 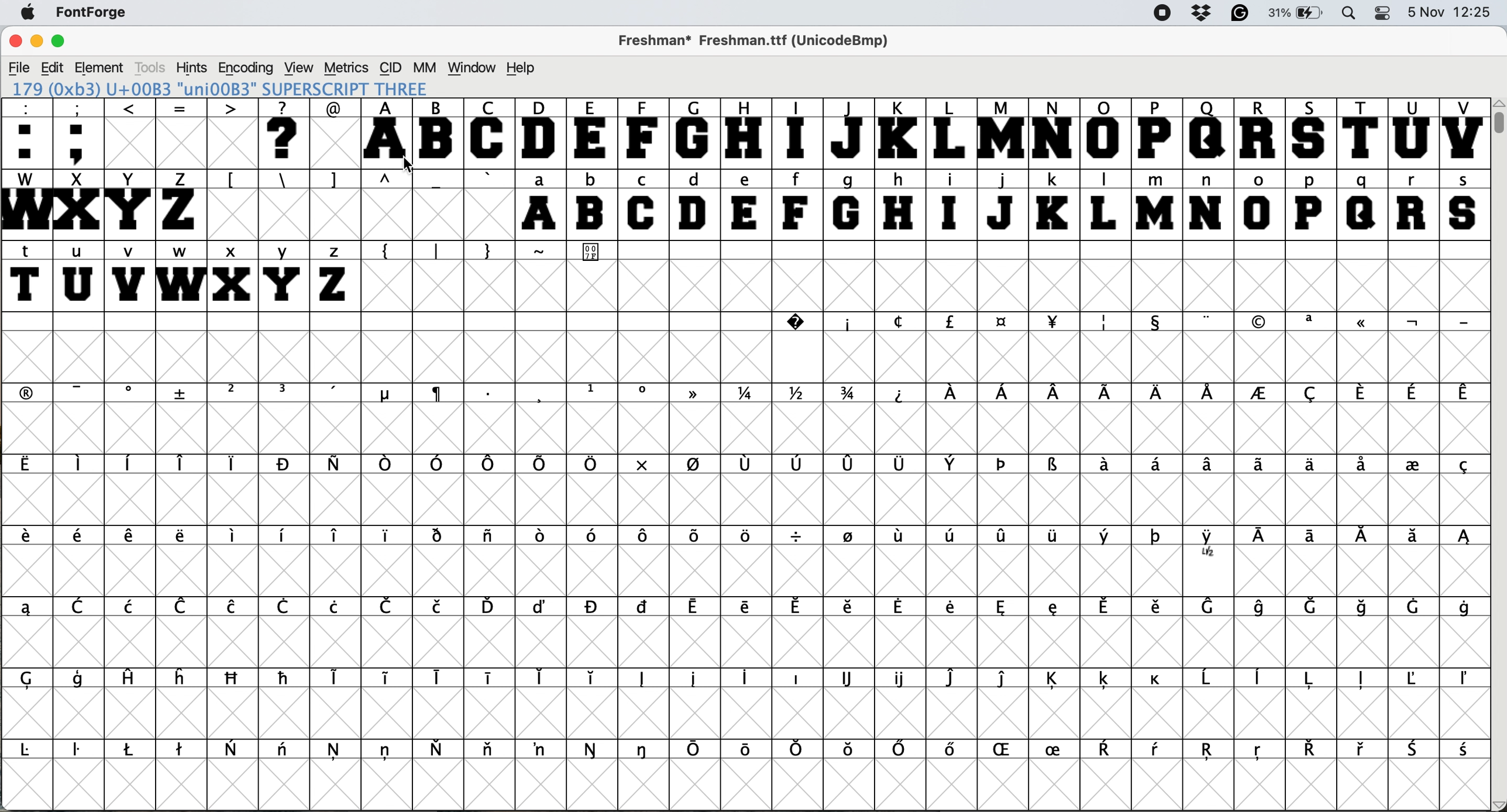 What do you see at coordinates (797, 133) in the screenshot?
I see `I` at bounding box center [797, 133].